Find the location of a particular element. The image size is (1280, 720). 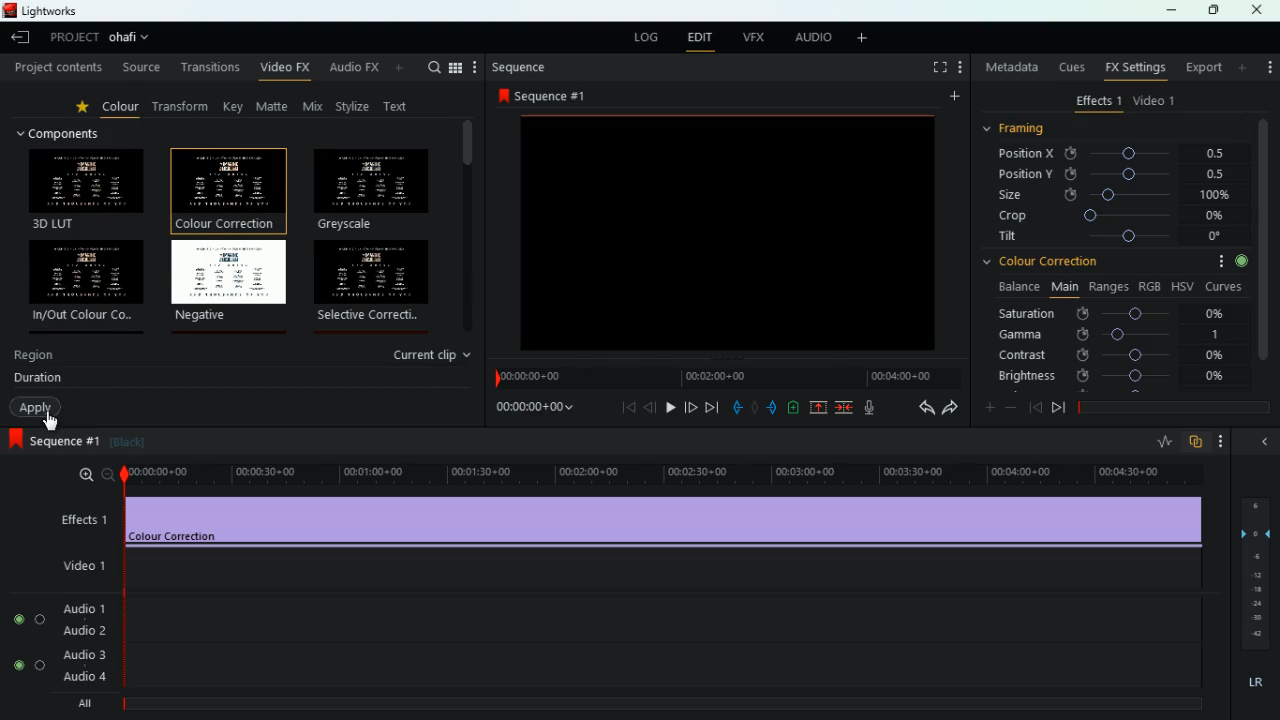

menu is located at coordinates (465, 67).